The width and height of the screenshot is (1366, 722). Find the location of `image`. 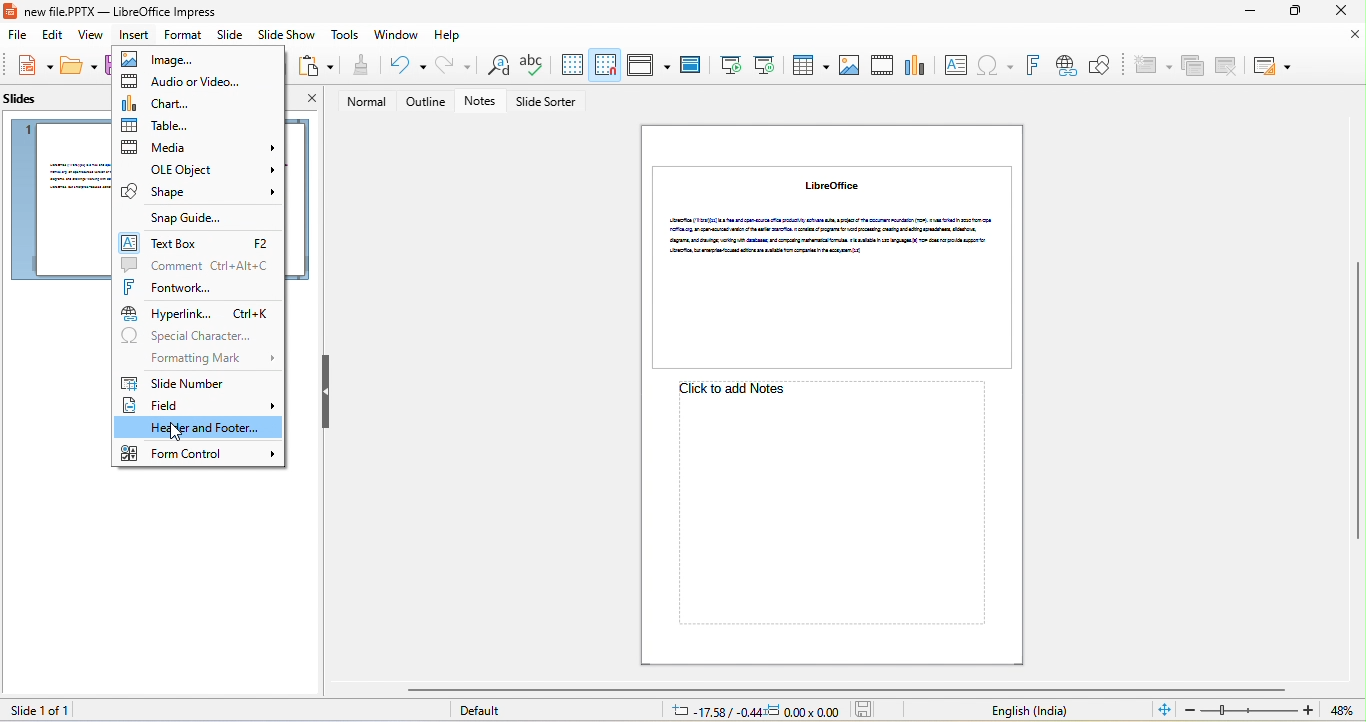

image is located at coordinates (171, 60).